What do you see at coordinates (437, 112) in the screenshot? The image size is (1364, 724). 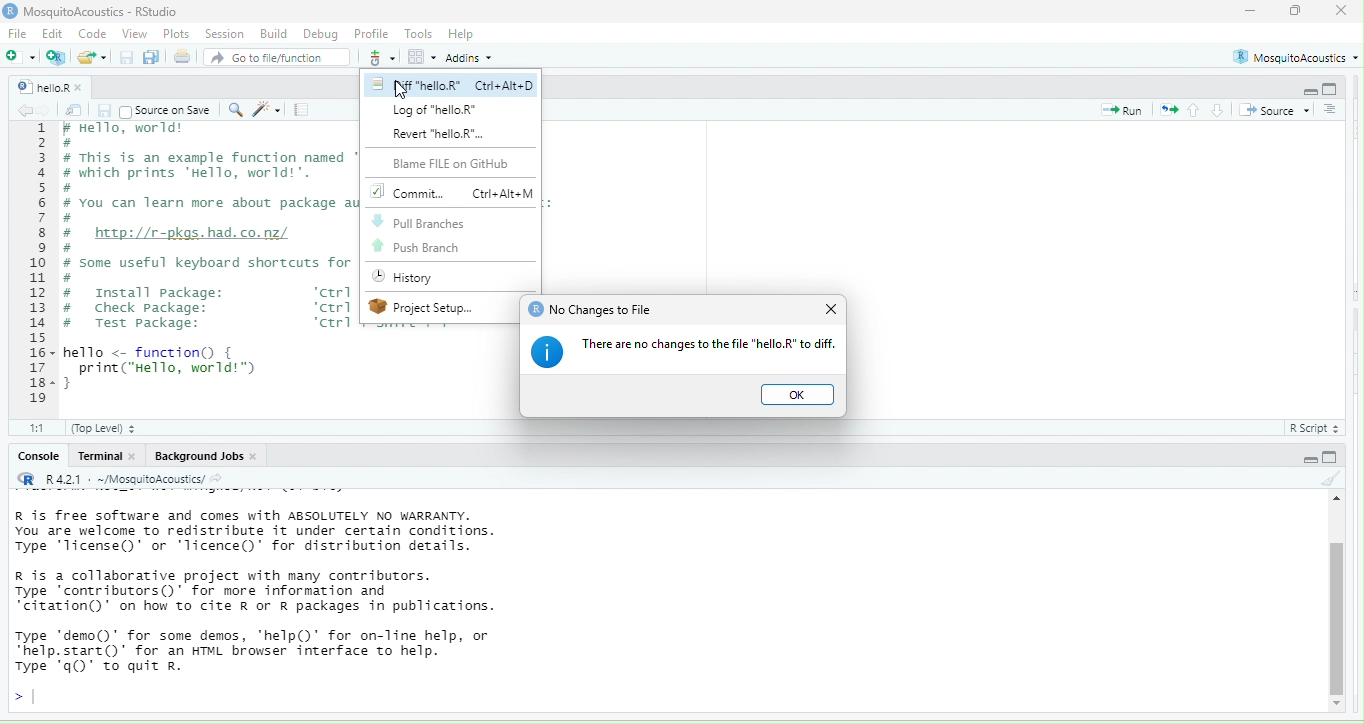 I see `Log of “hello.R*` at bounding box center [437, 112].